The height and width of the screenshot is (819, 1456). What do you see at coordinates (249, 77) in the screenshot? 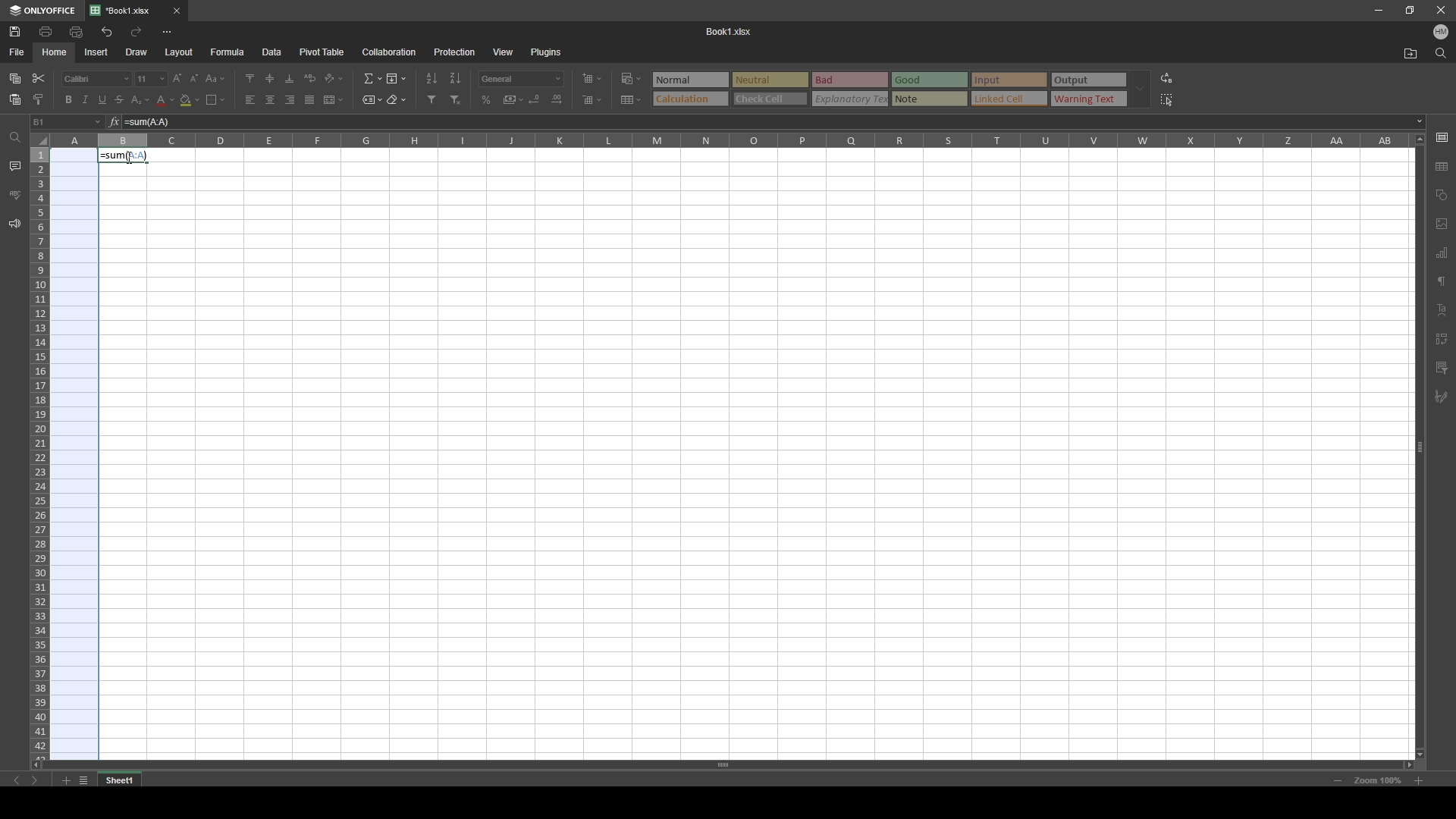
I see `align top` at bounding box center [249, 77].